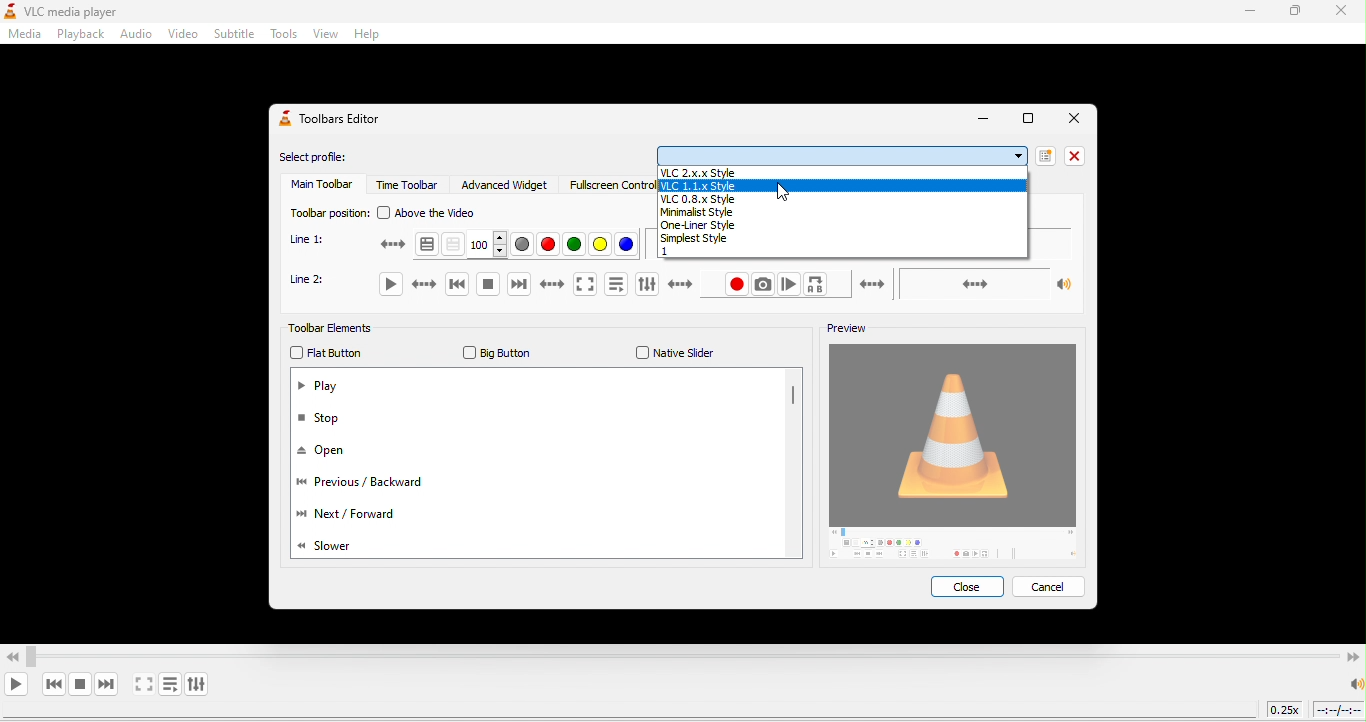 The height and width of the screenshot is (722, 1366). What do you see at coordinates (958, 454) in the screenshot?
I see `image` at bounding box center [958, 454].